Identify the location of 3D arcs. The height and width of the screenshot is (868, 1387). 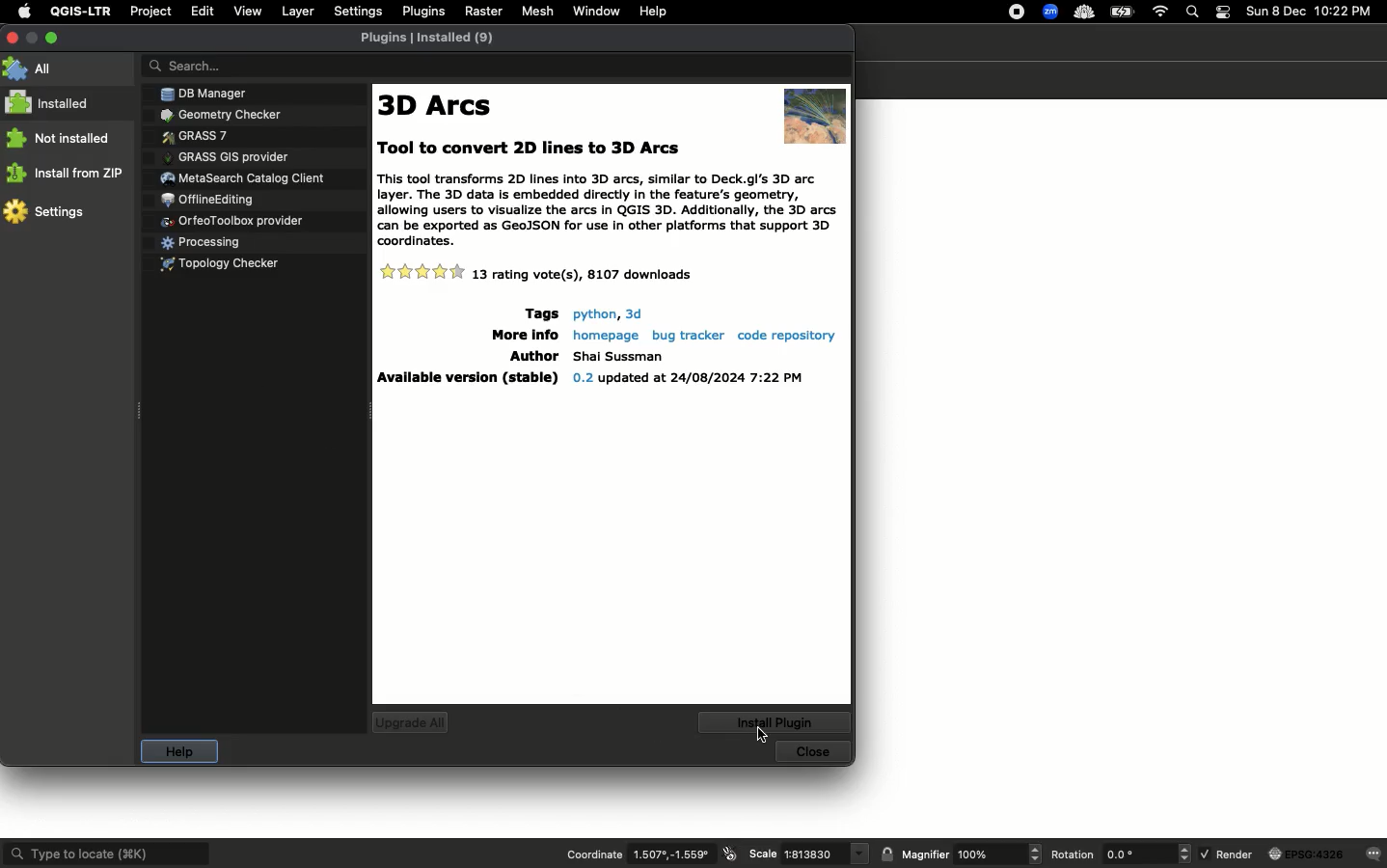
(440, 107).